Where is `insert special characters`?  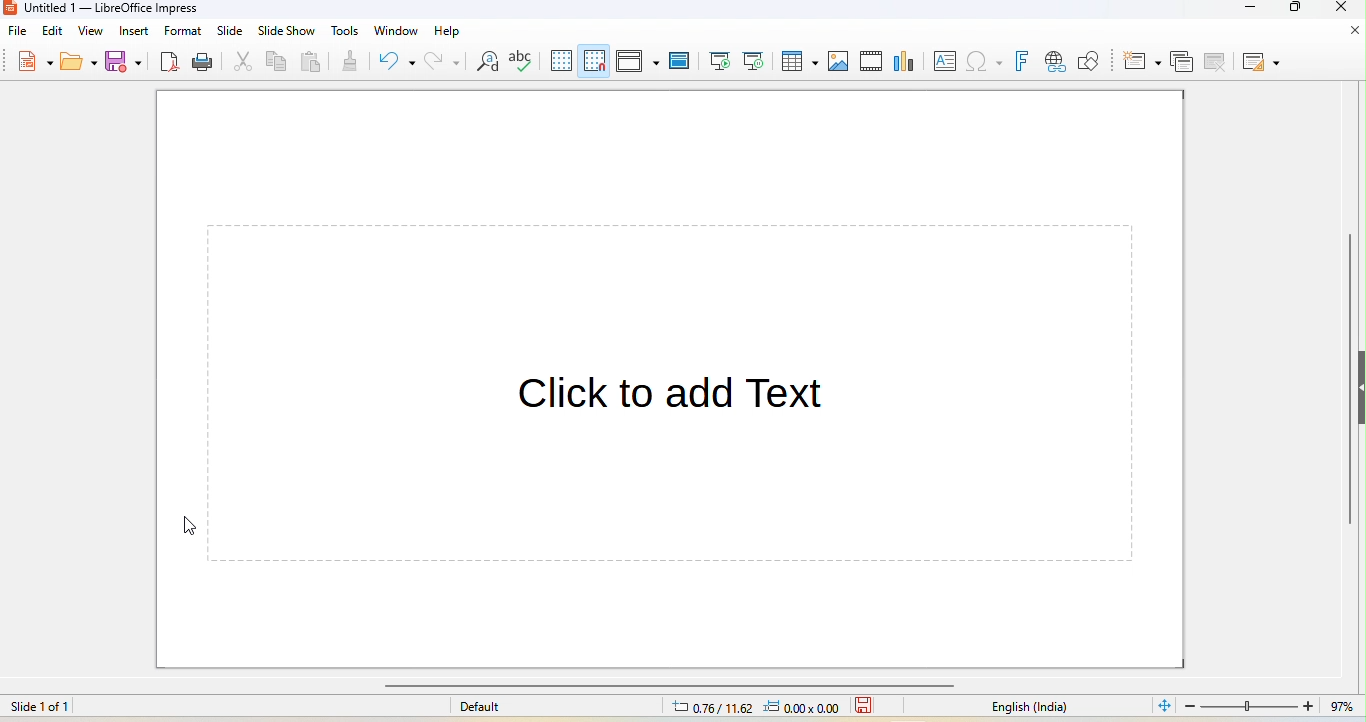 insert special characters is located at coordinates (984, 61).